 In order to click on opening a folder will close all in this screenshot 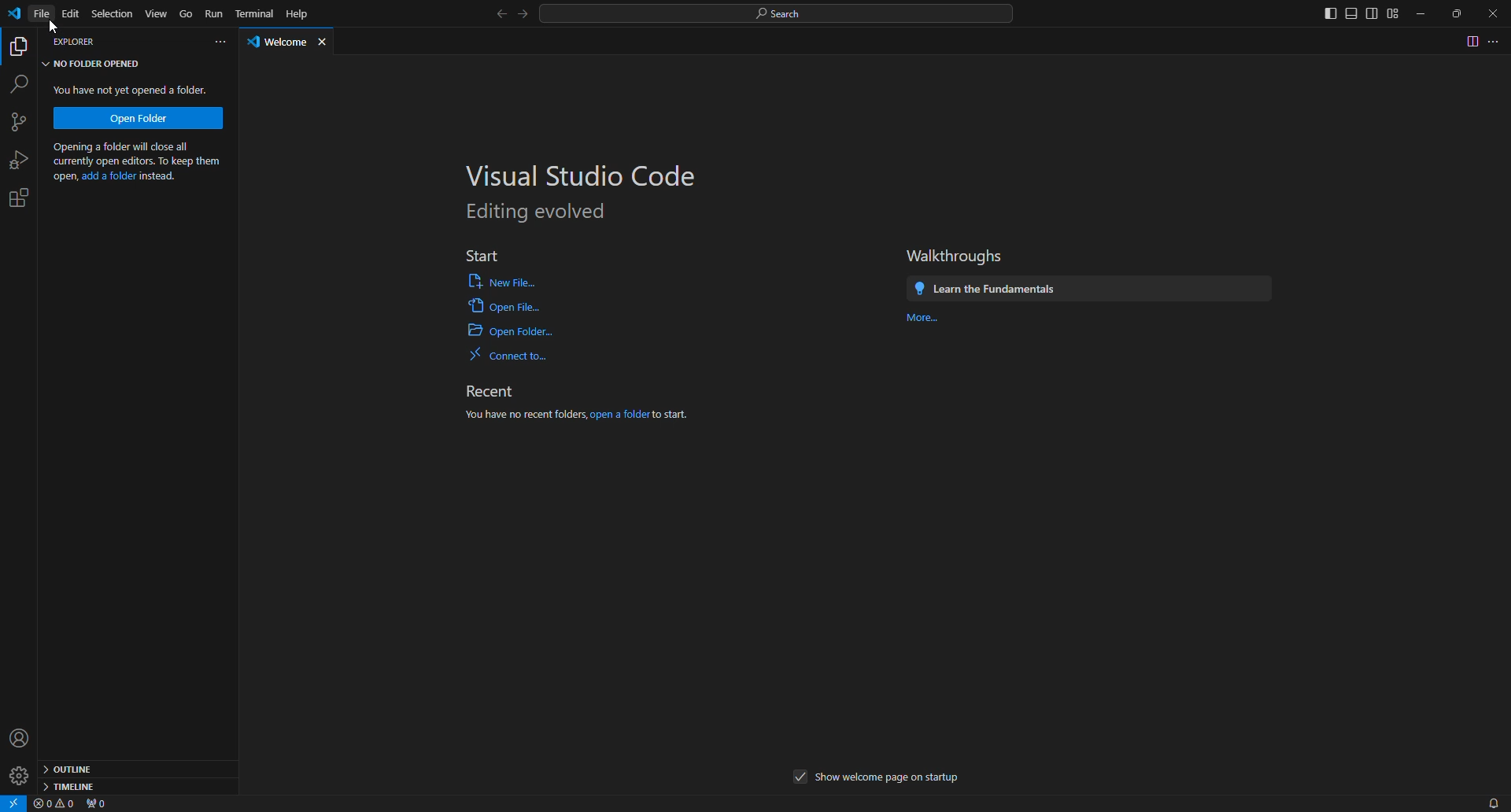, I will do `click(135, 147)`.